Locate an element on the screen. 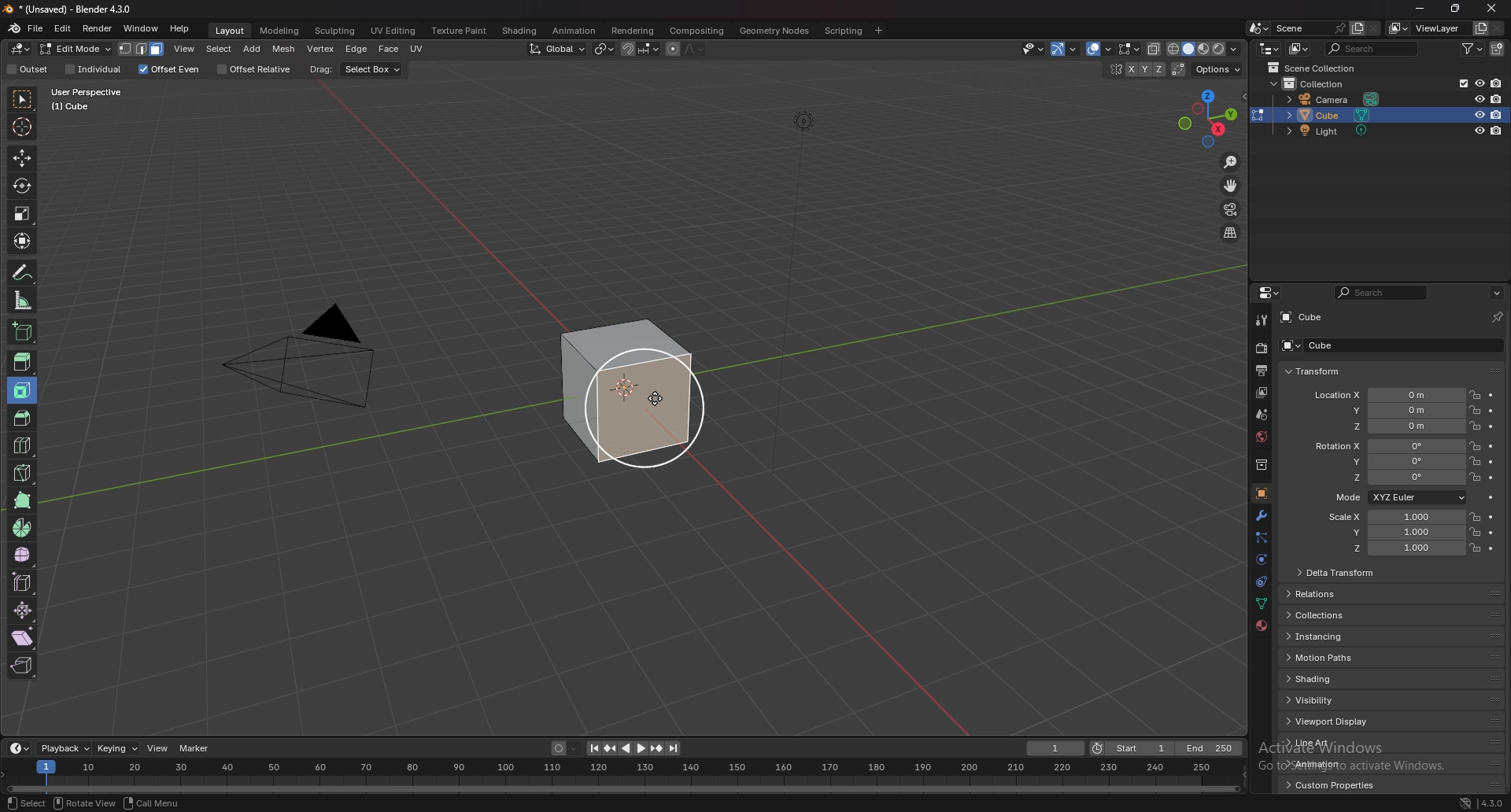 The height and width of the screenshot is (812, 1511). jump to endpoint is located at coordinates (592, 748).